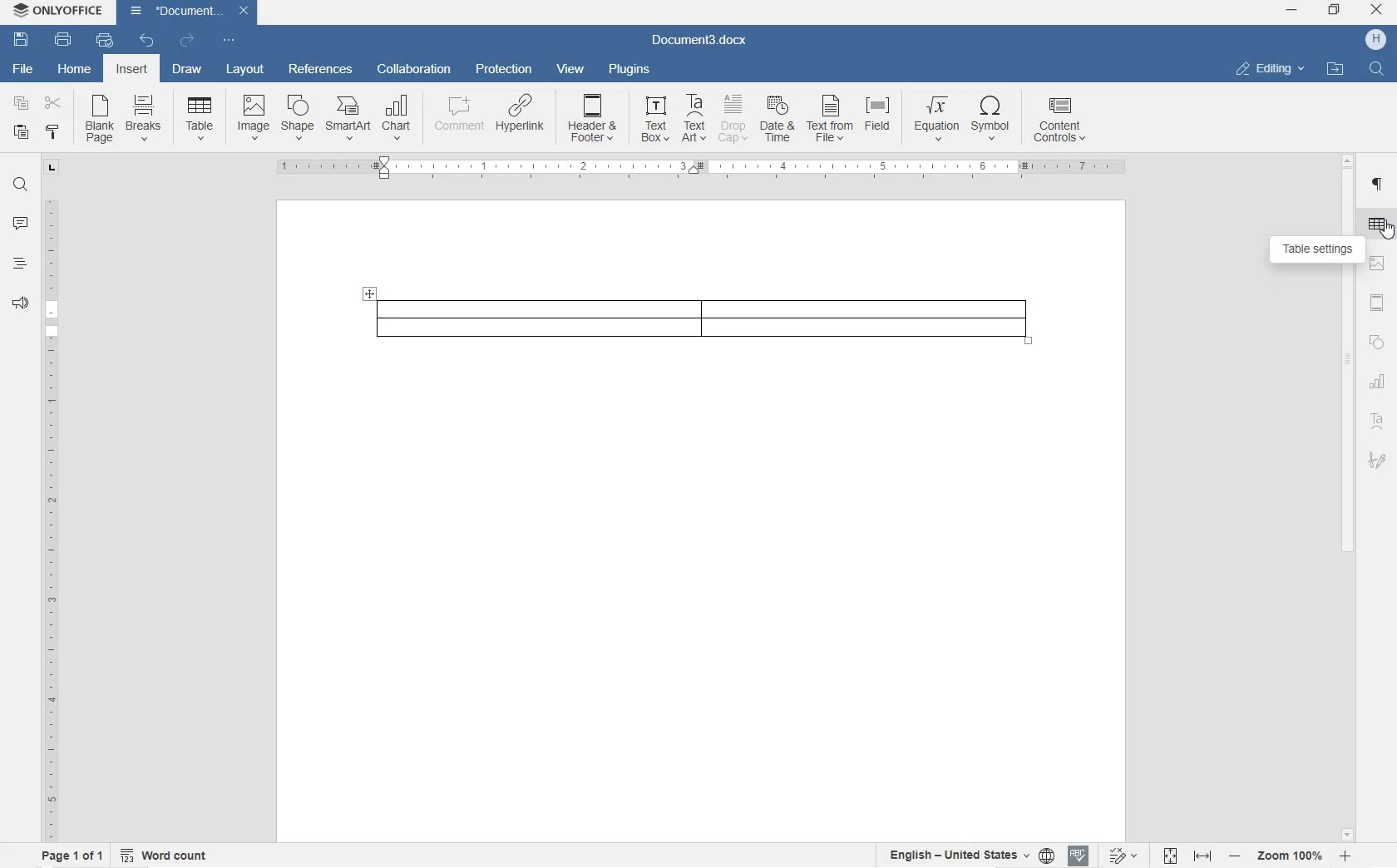 This screenshot has width=1397, height=868. Describe the element at coordinates (1346, 496) in the screenshot. I see `SCROLLBAR` at that location.